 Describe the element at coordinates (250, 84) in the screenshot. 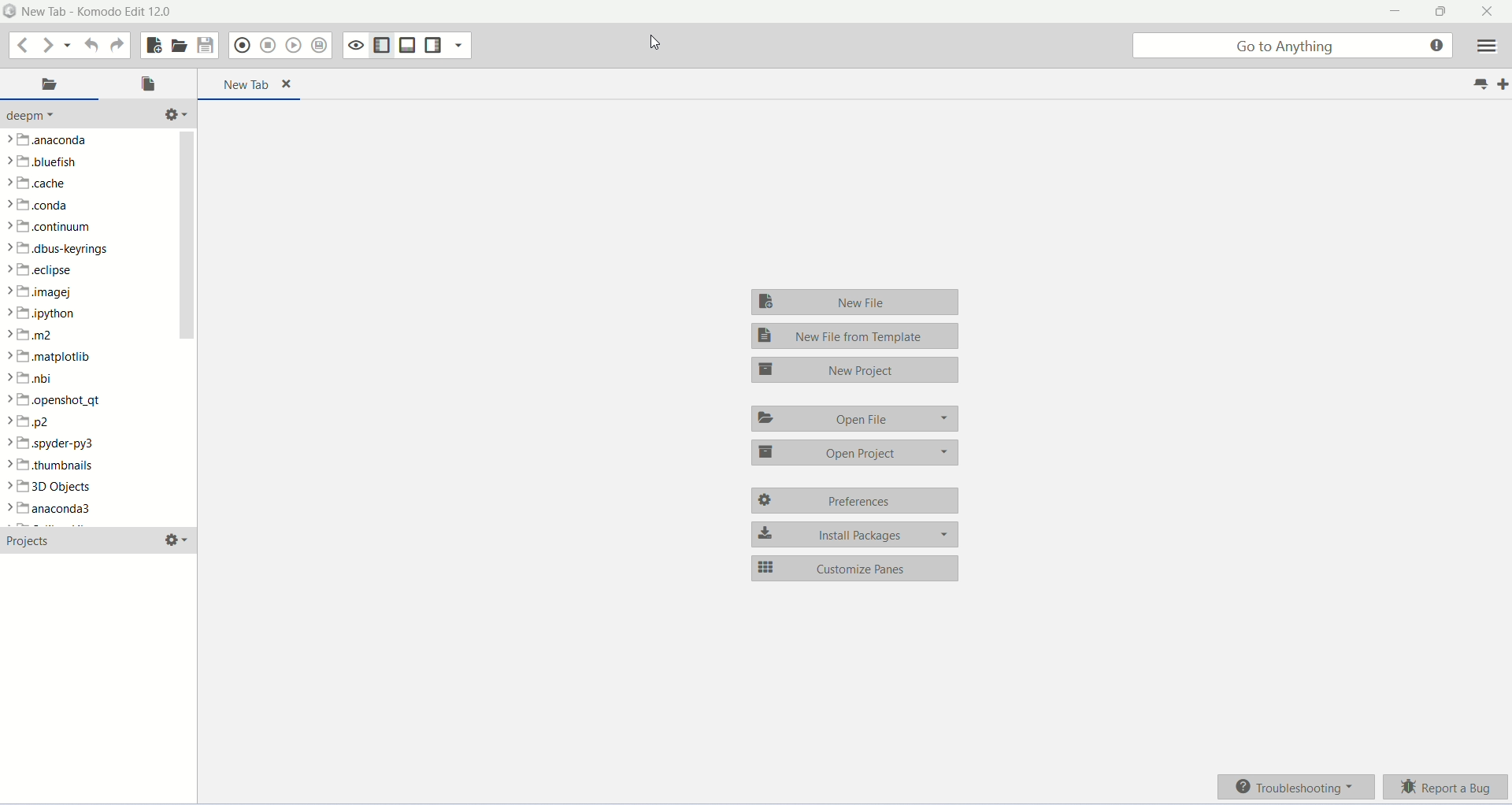

I see `new tab` at that location.